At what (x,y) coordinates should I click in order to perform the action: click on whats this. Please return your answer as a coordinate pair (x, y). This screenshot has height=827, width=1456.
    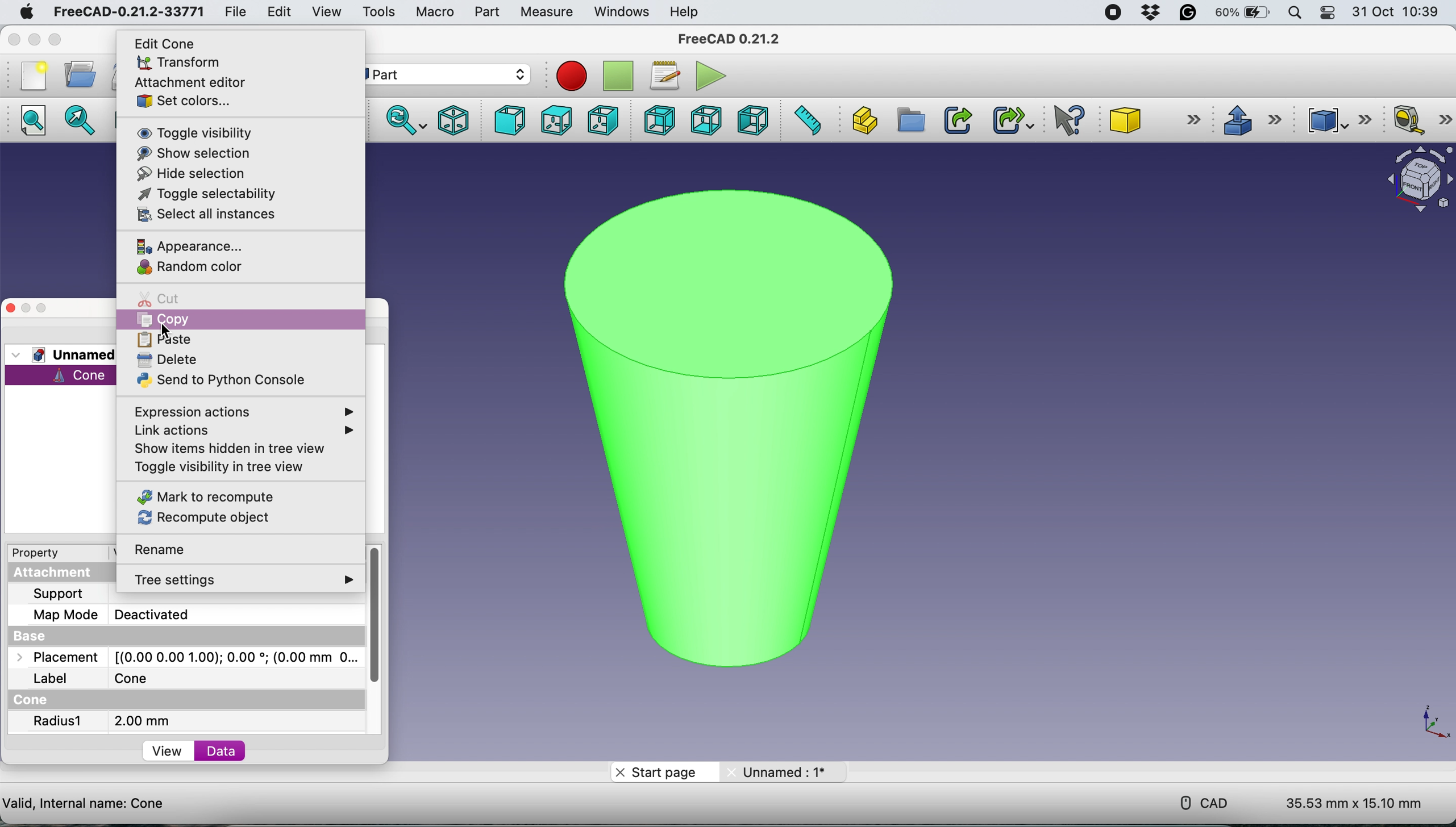
    Looking at the image, I should click on (1063, 121).